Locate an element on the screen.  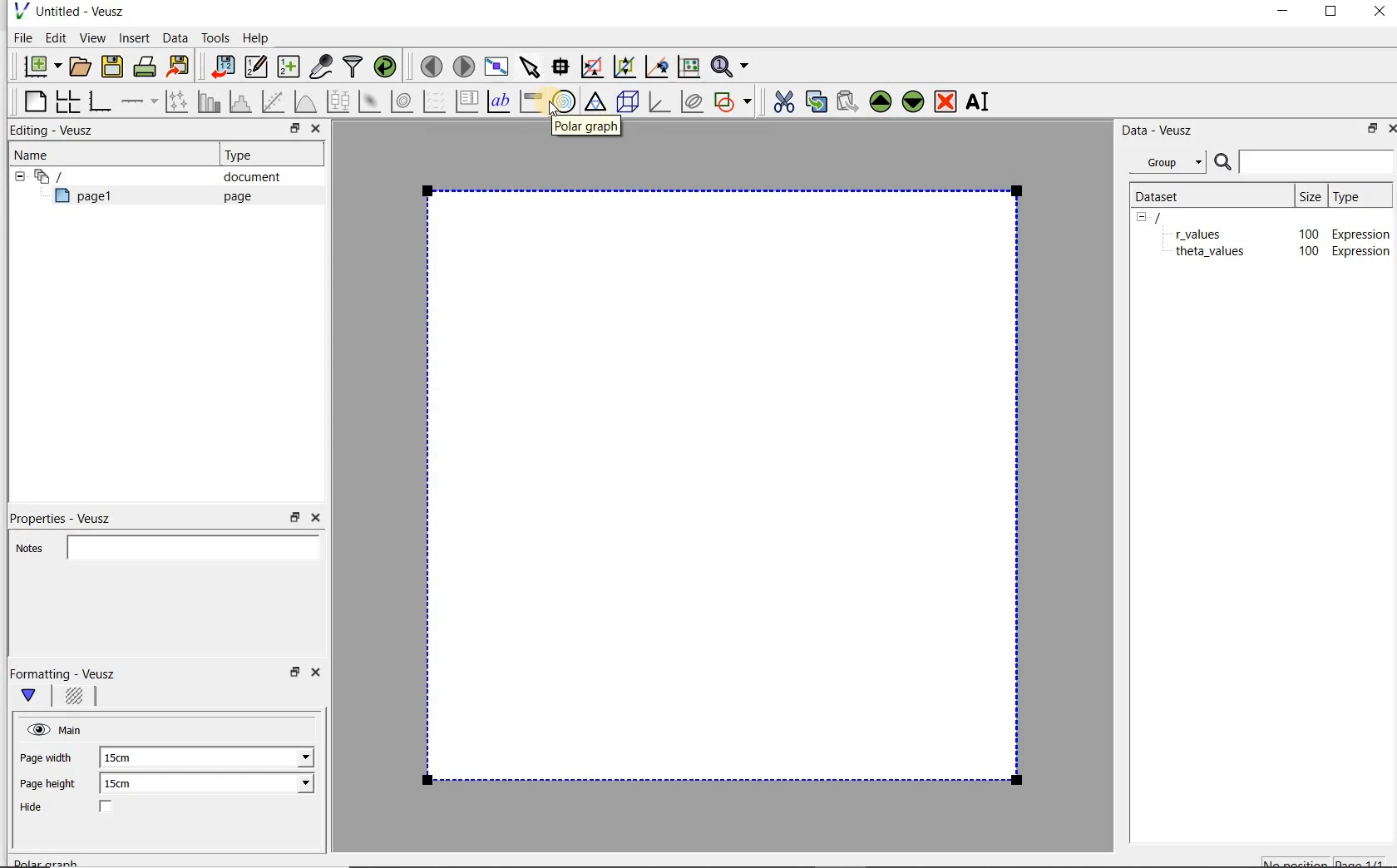
Close is located at coordinates (314, 131).